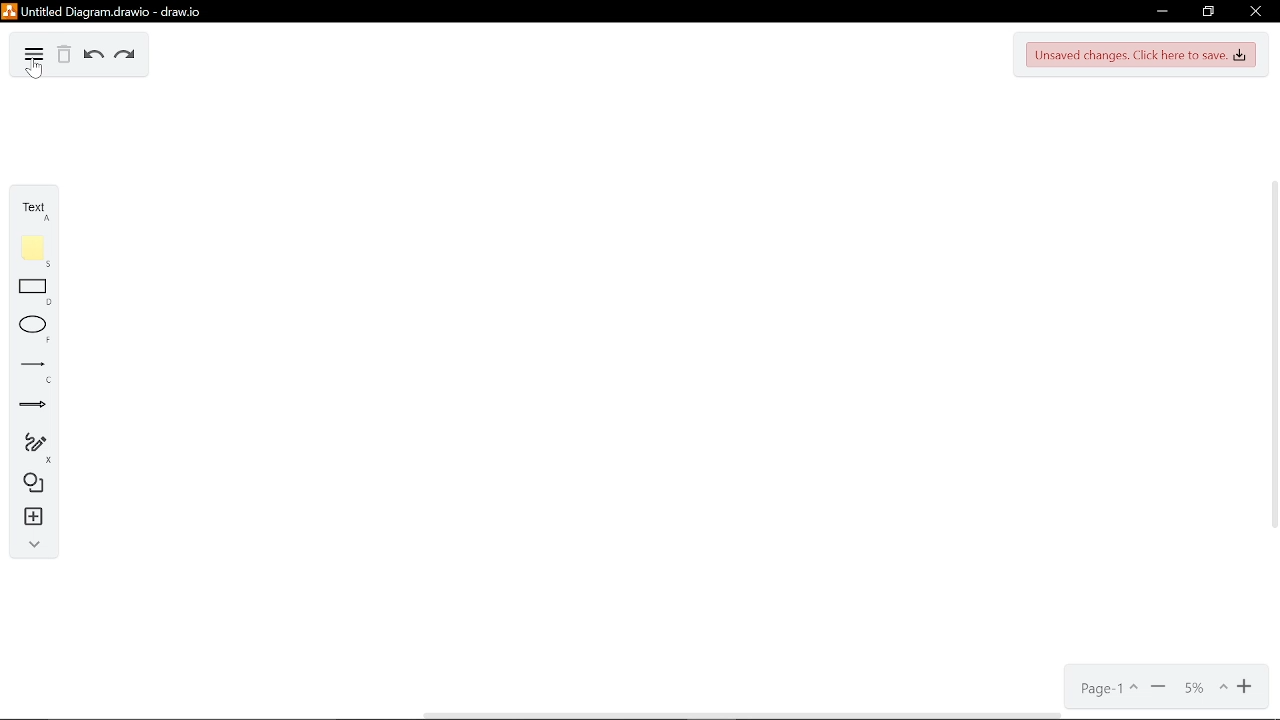  What do you see at coordinates (1272, 360) in the screenshot?
I see `Vertical scrollbar` at bounding box center [1272, 360].